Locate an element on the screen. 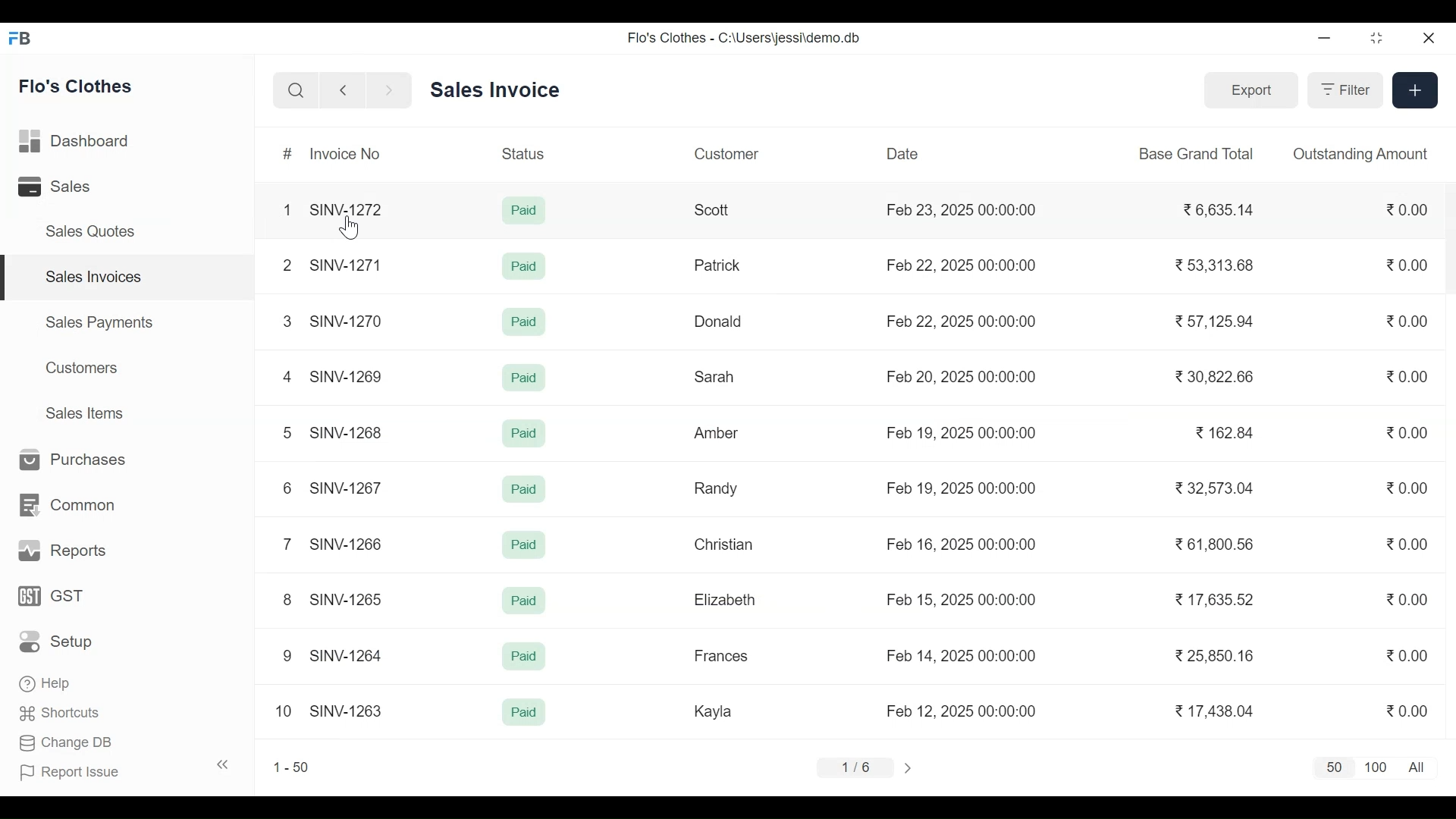 The height and width of the screenshot is (819, 1456). 7 is located at coordinates (288, 543).